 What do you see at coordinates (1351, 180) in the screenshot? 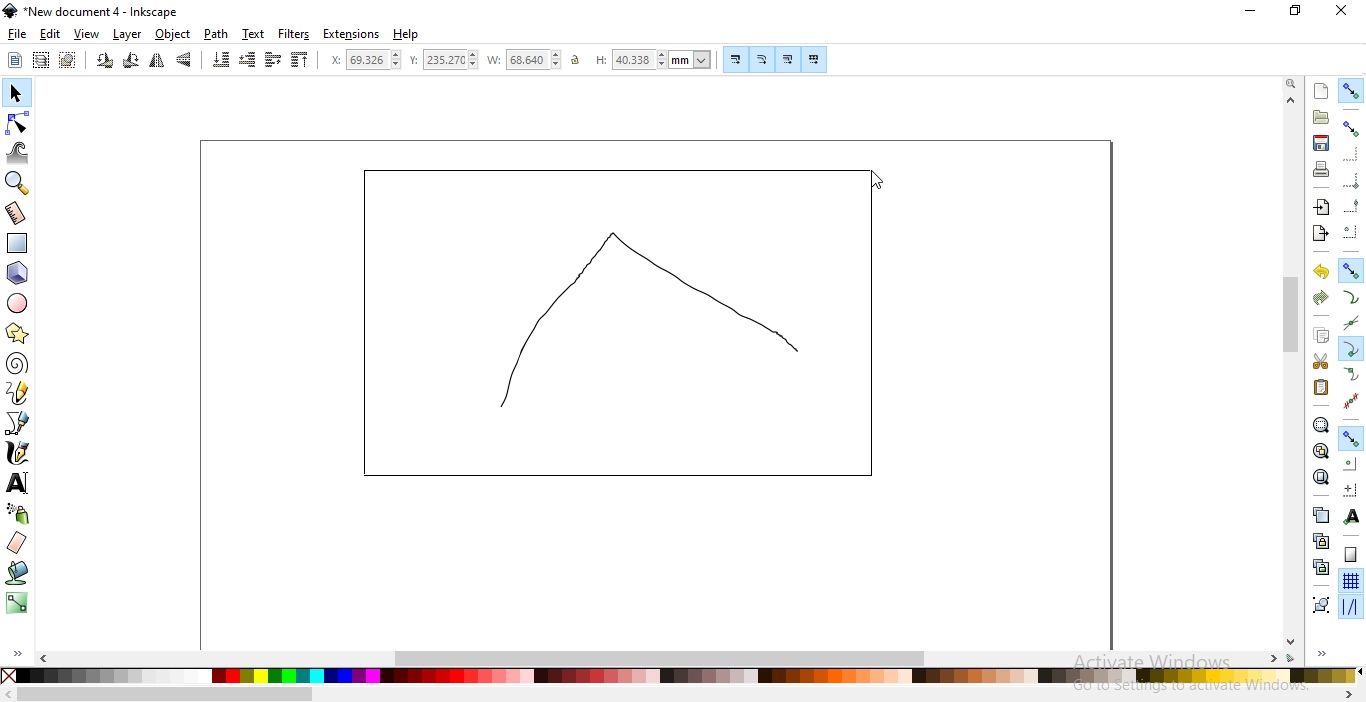
I see `` at bounding box center [1351, 180].